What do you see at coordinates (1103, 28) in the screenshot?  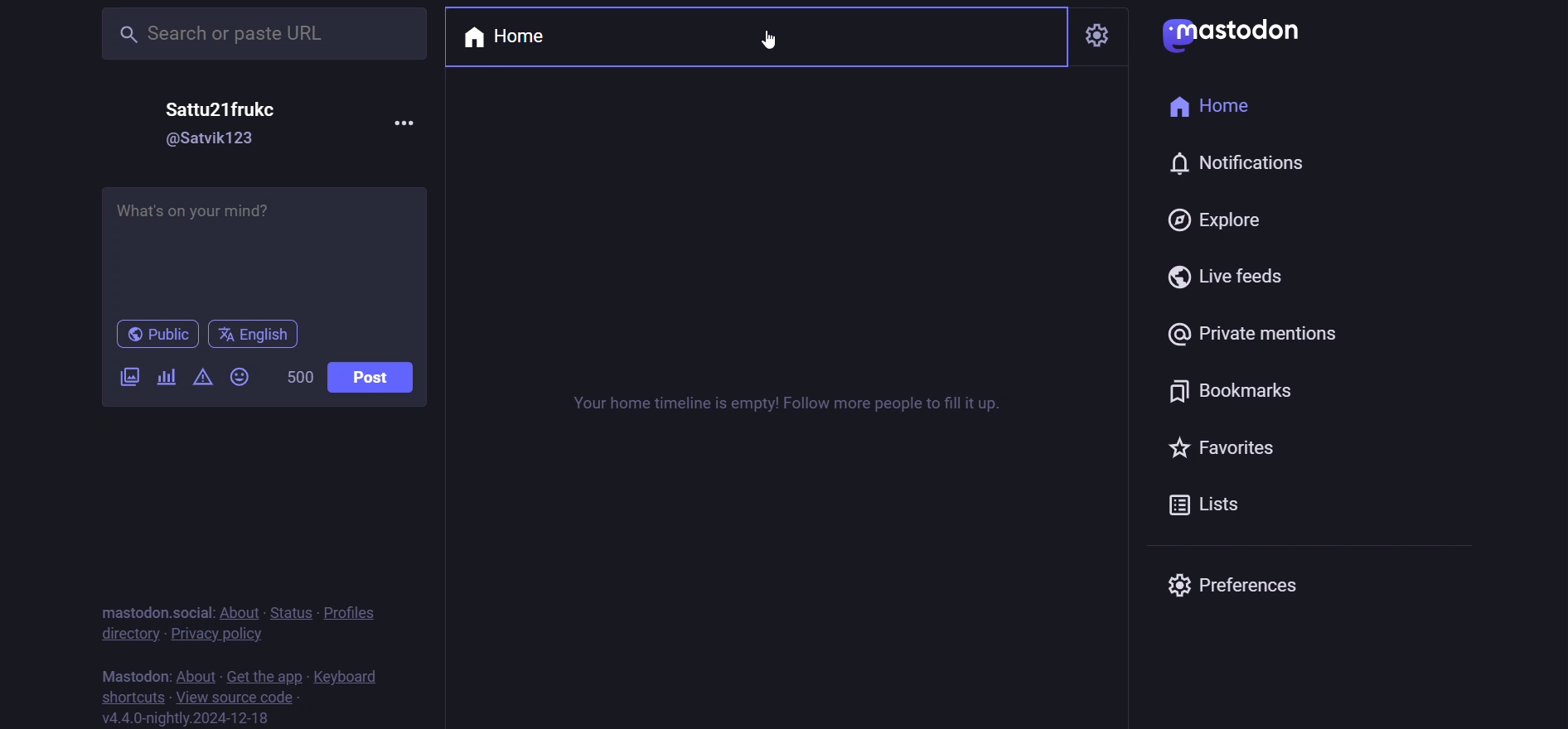 I see `setting` at bounding box center [1103, 28].